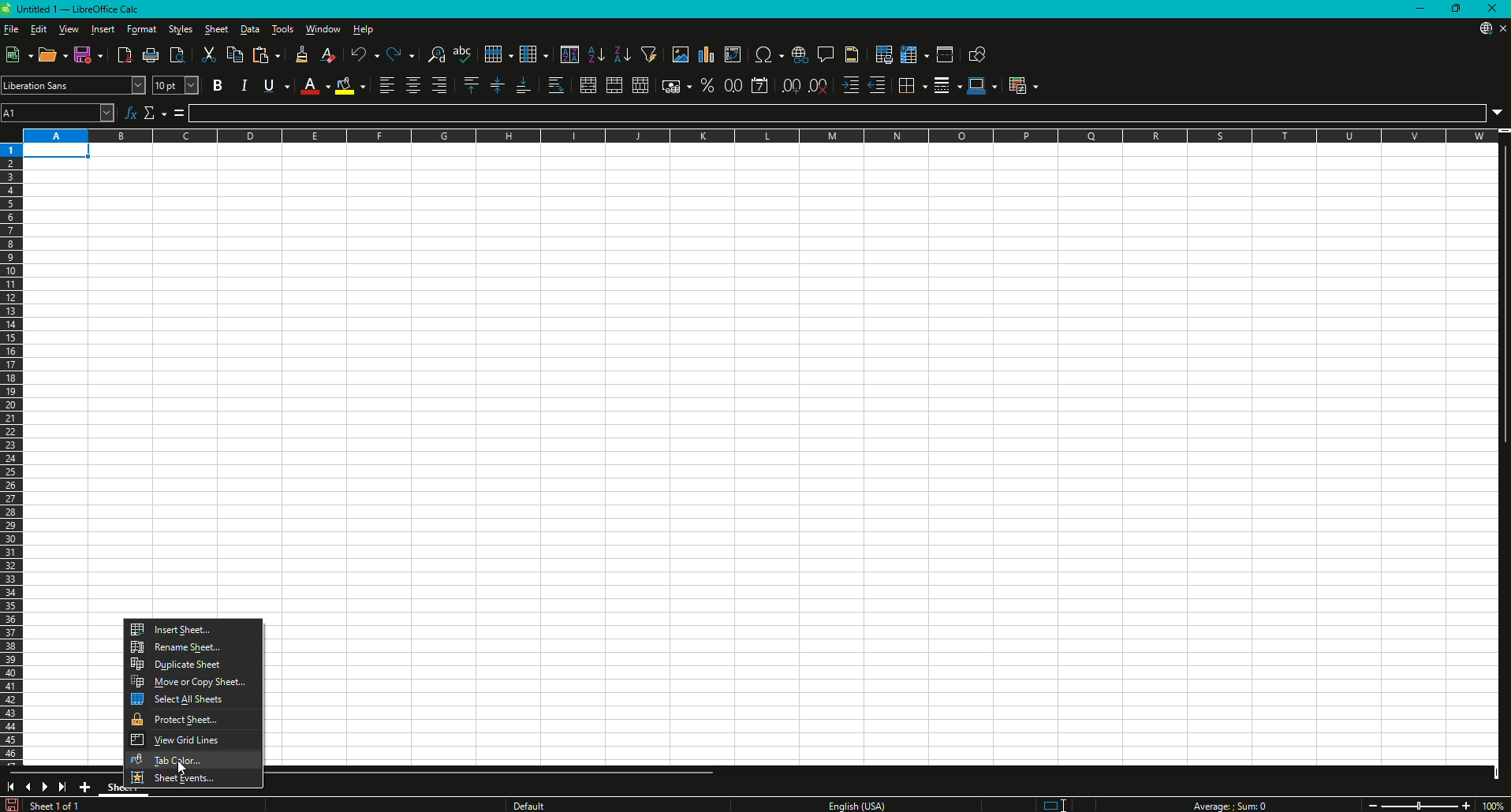 The height and width of the screenshot is (812, 1511). I want to click on Font Name, so click(138, 85).